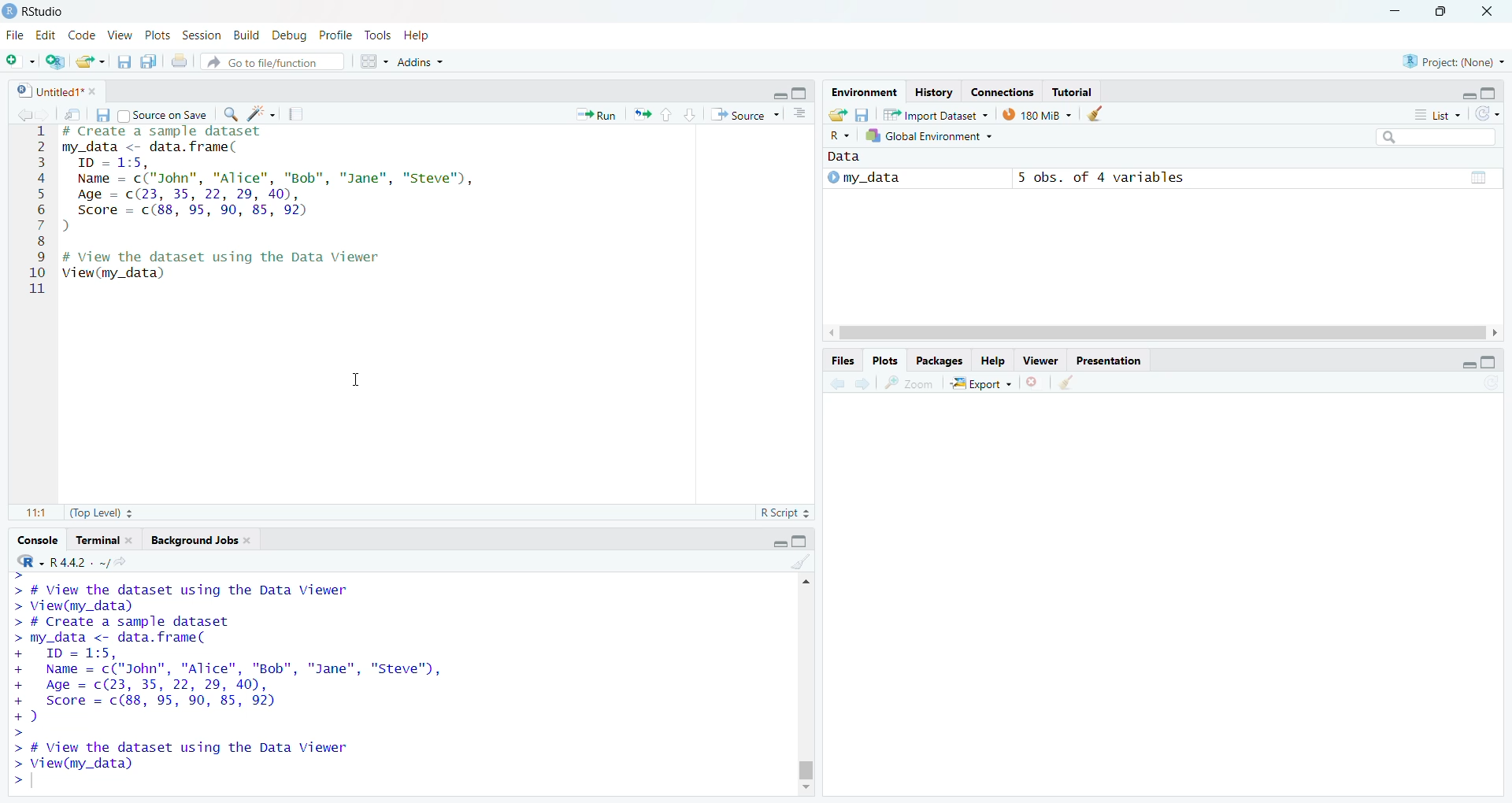 The image size is (1512, 803). I want to click on Global Environment, so click(932, 136).